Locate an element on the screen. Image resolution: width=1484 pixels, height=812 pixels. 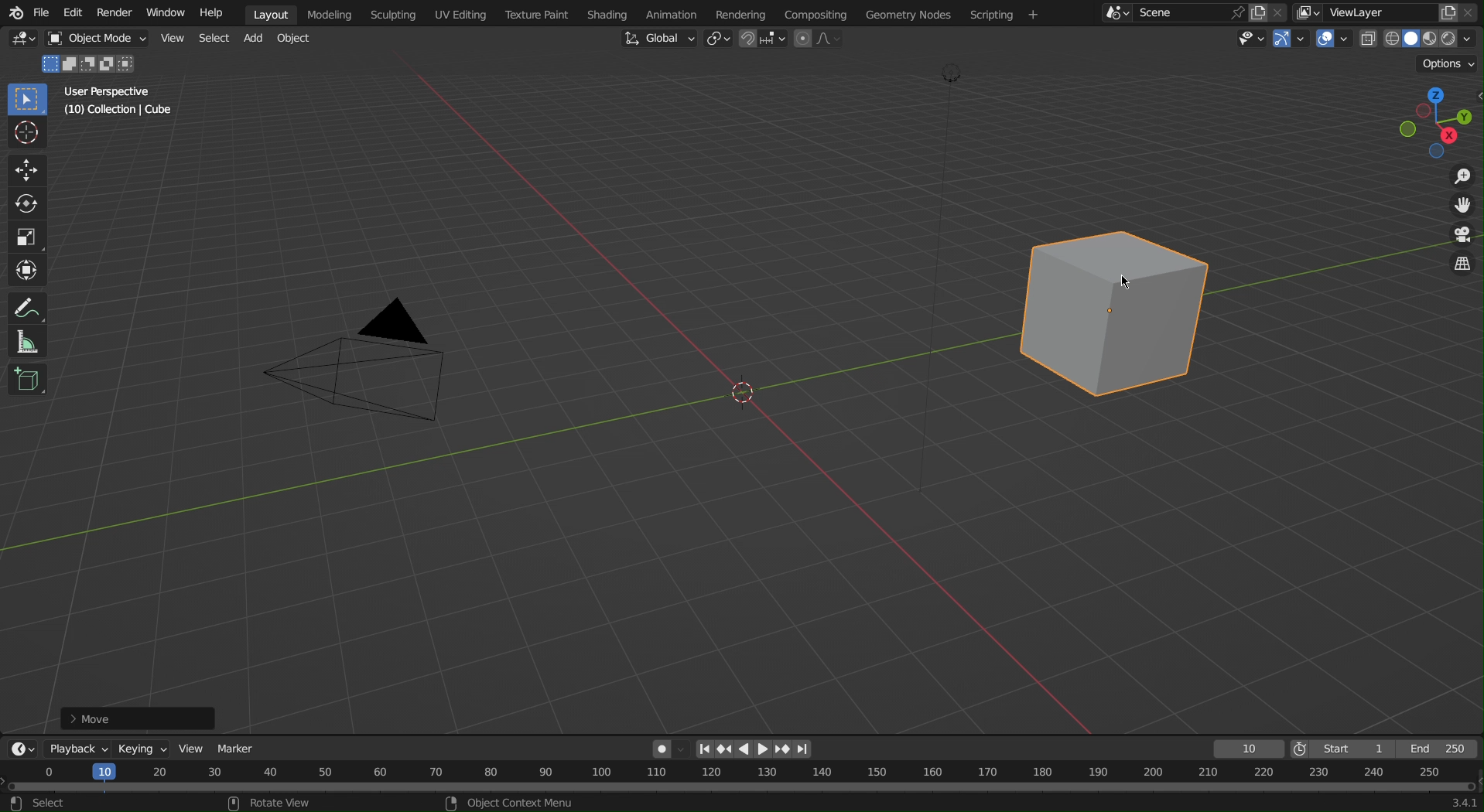
Blender is located at coordinates (13, 12).